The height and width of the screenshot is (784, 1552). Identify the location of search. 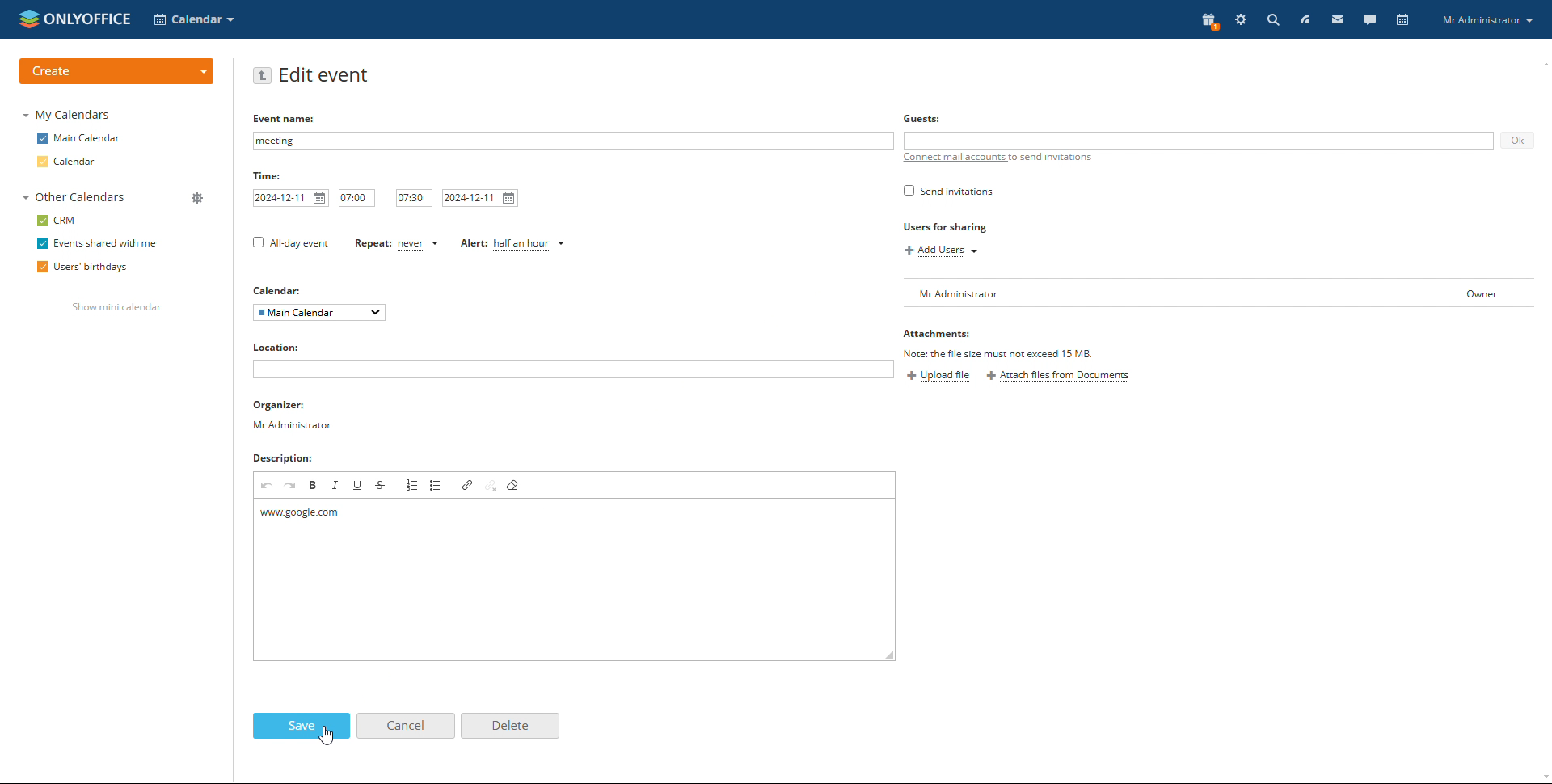
(1271, 20).